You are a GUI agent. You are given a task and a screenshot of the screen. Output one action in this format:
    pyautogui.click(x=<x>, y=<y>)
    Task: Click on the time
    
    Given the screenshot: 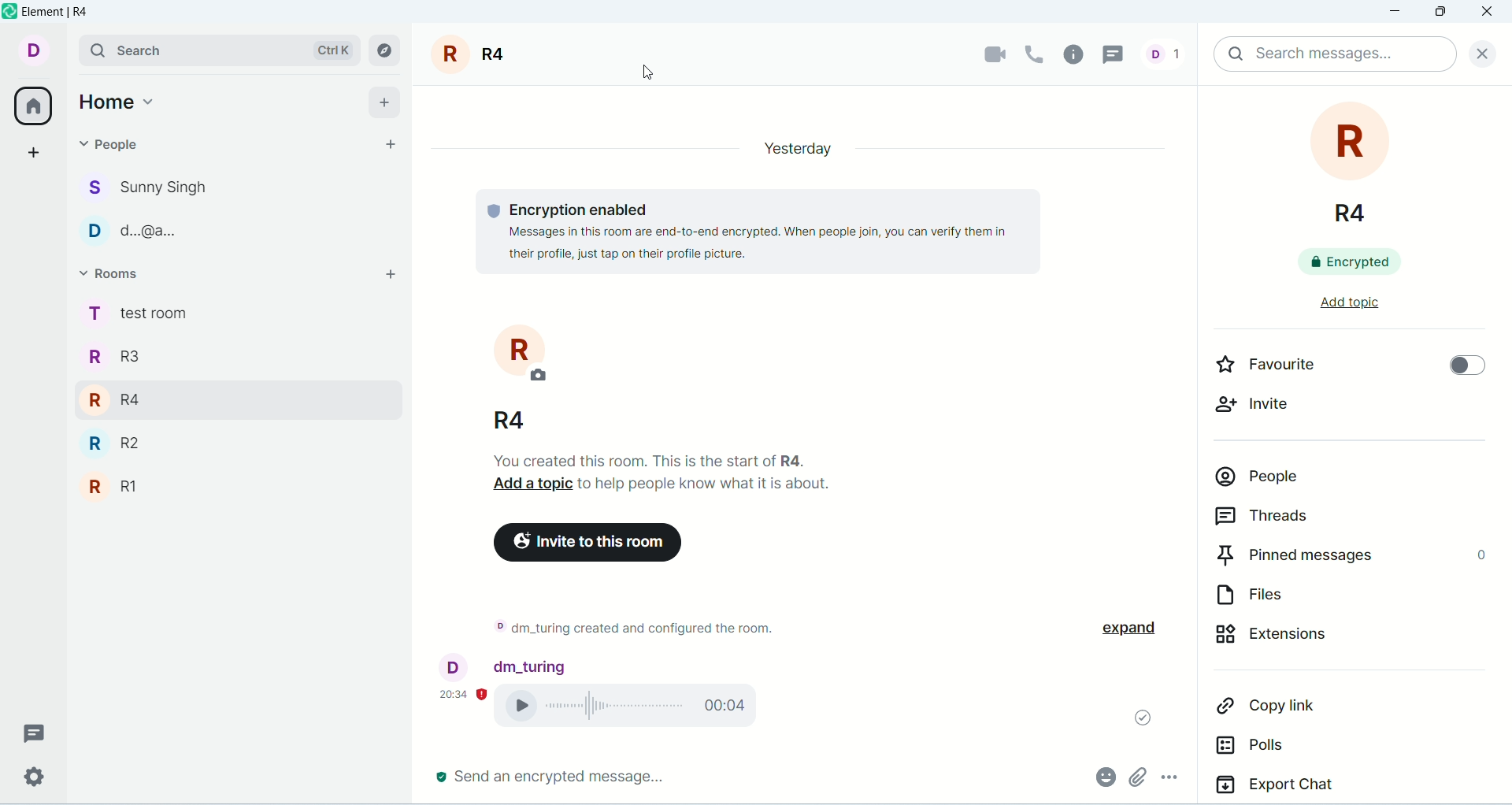 What is the action you would take?
    pyautogui.click(x=464, y=692)
    